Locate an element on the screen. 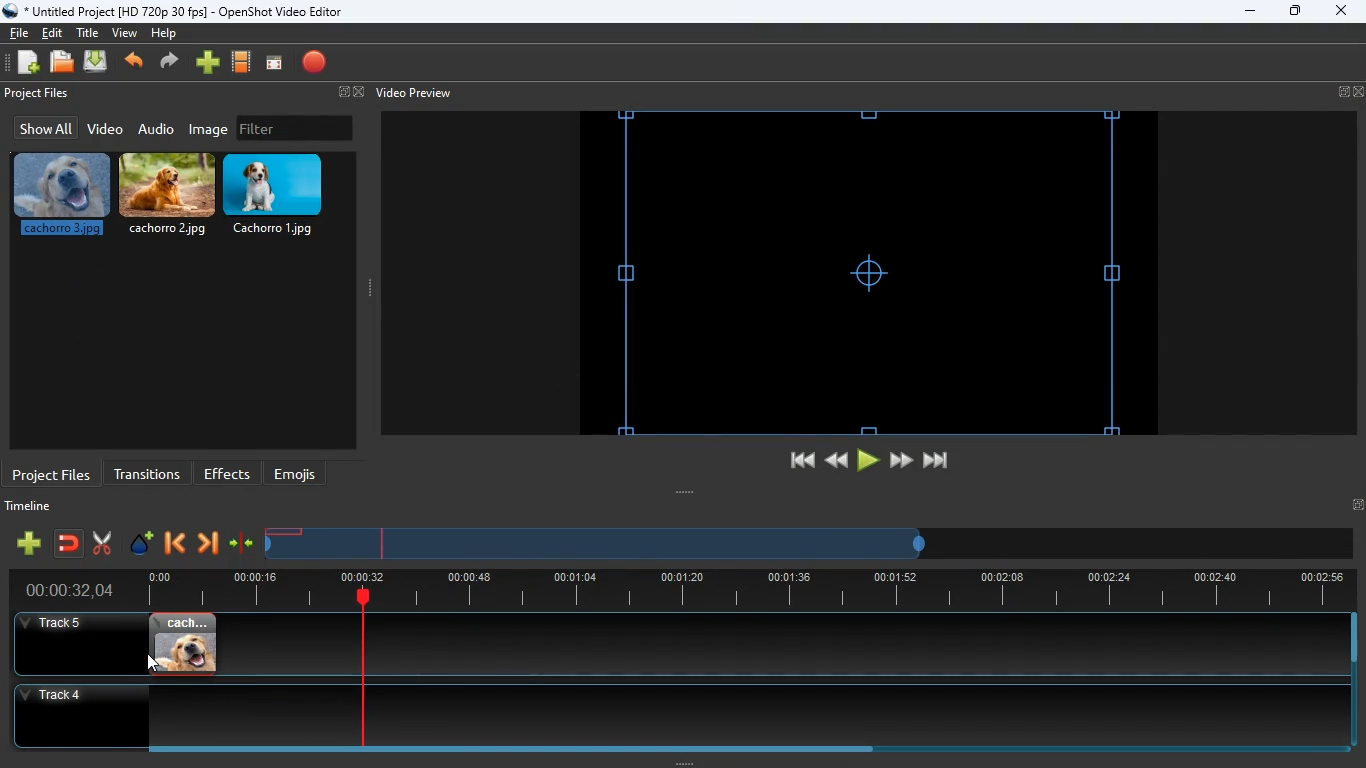 This screenshot has height=768, width=1366. record is located at coordinates (316, 64).